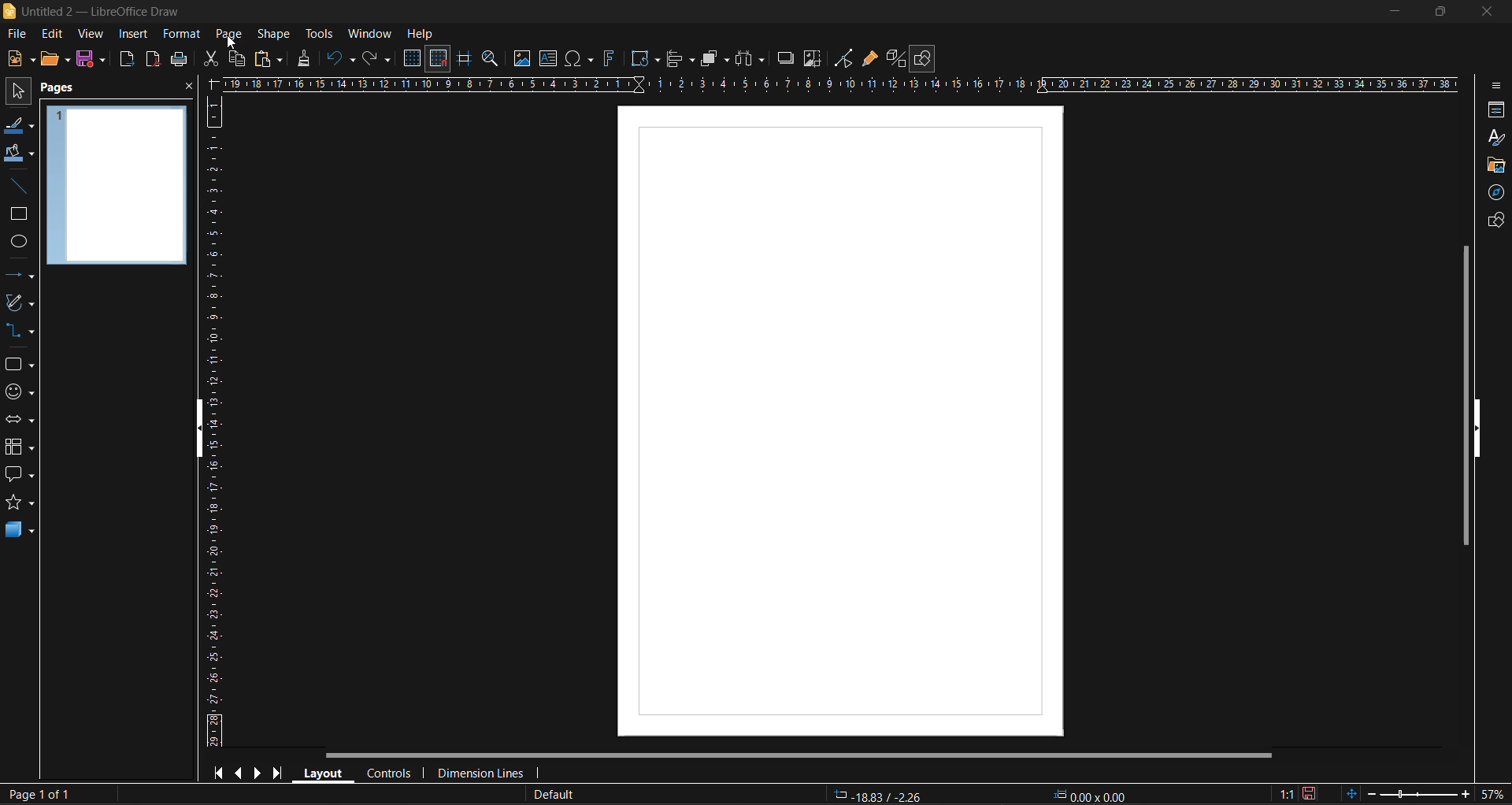  I want to click on special characters, so click(576, 58).